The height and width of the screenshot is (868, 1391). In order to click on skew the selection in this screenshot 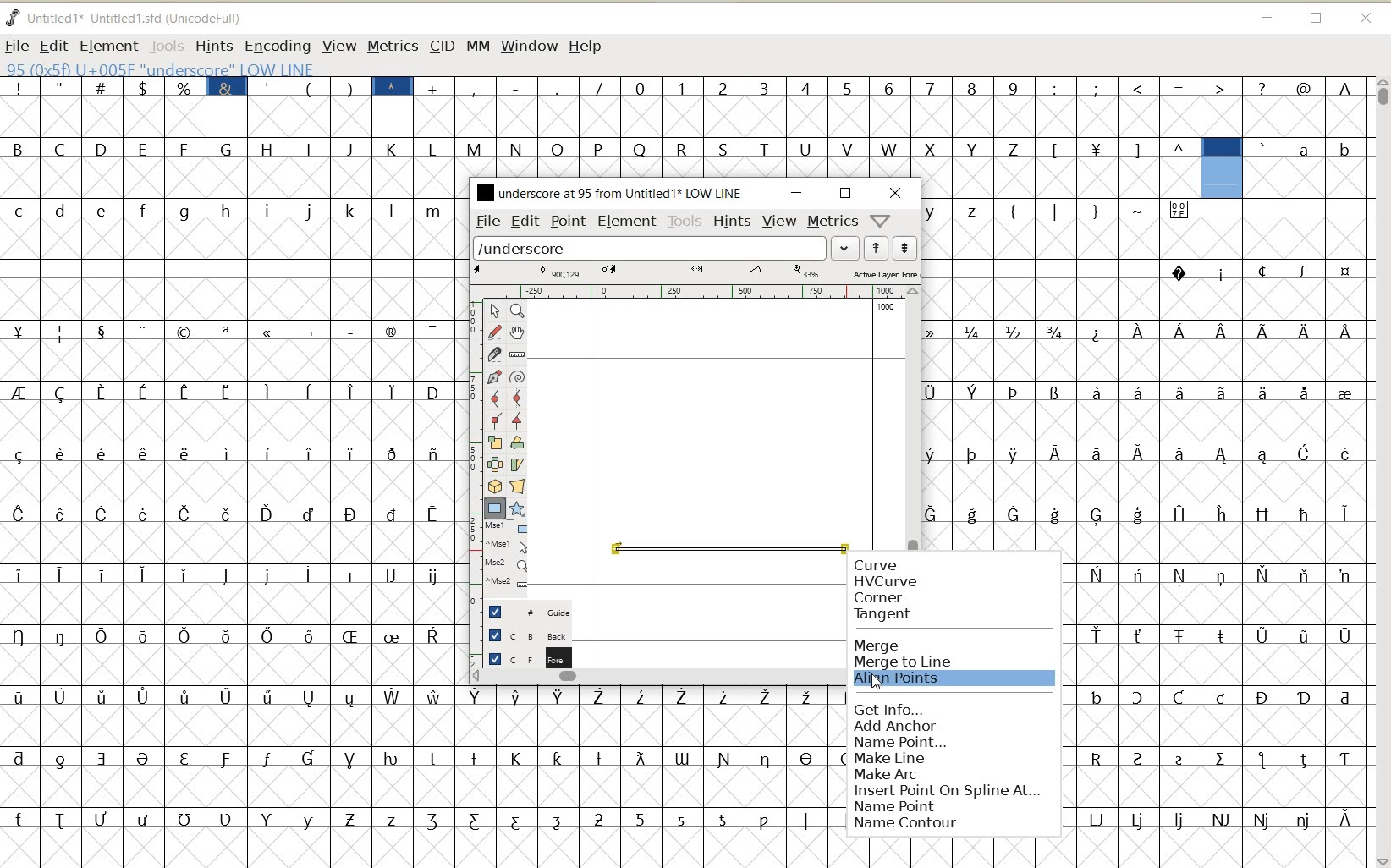, I will do `click(516, 465)`.